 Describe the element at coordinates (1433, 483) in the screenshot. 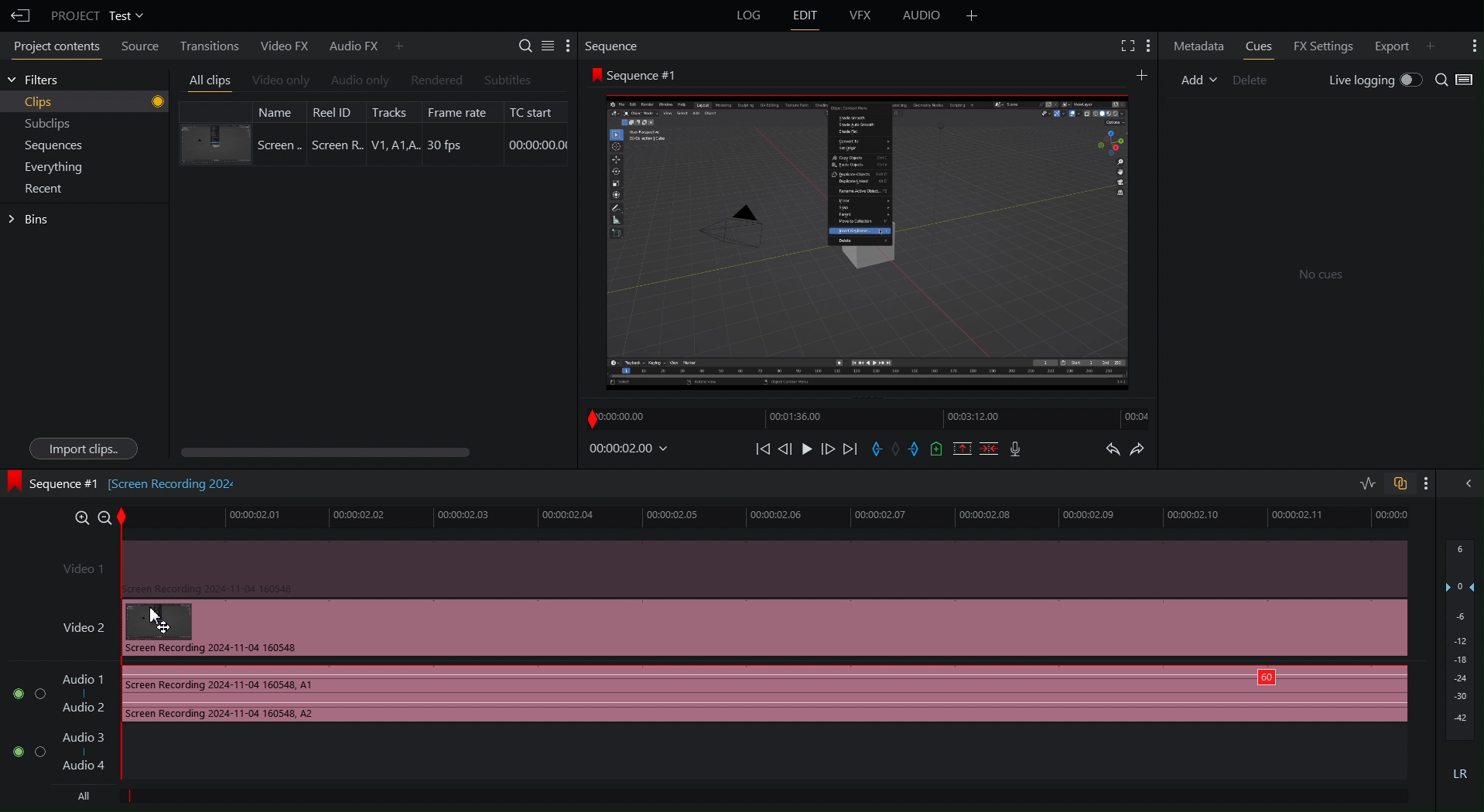

I see `More` at that location.